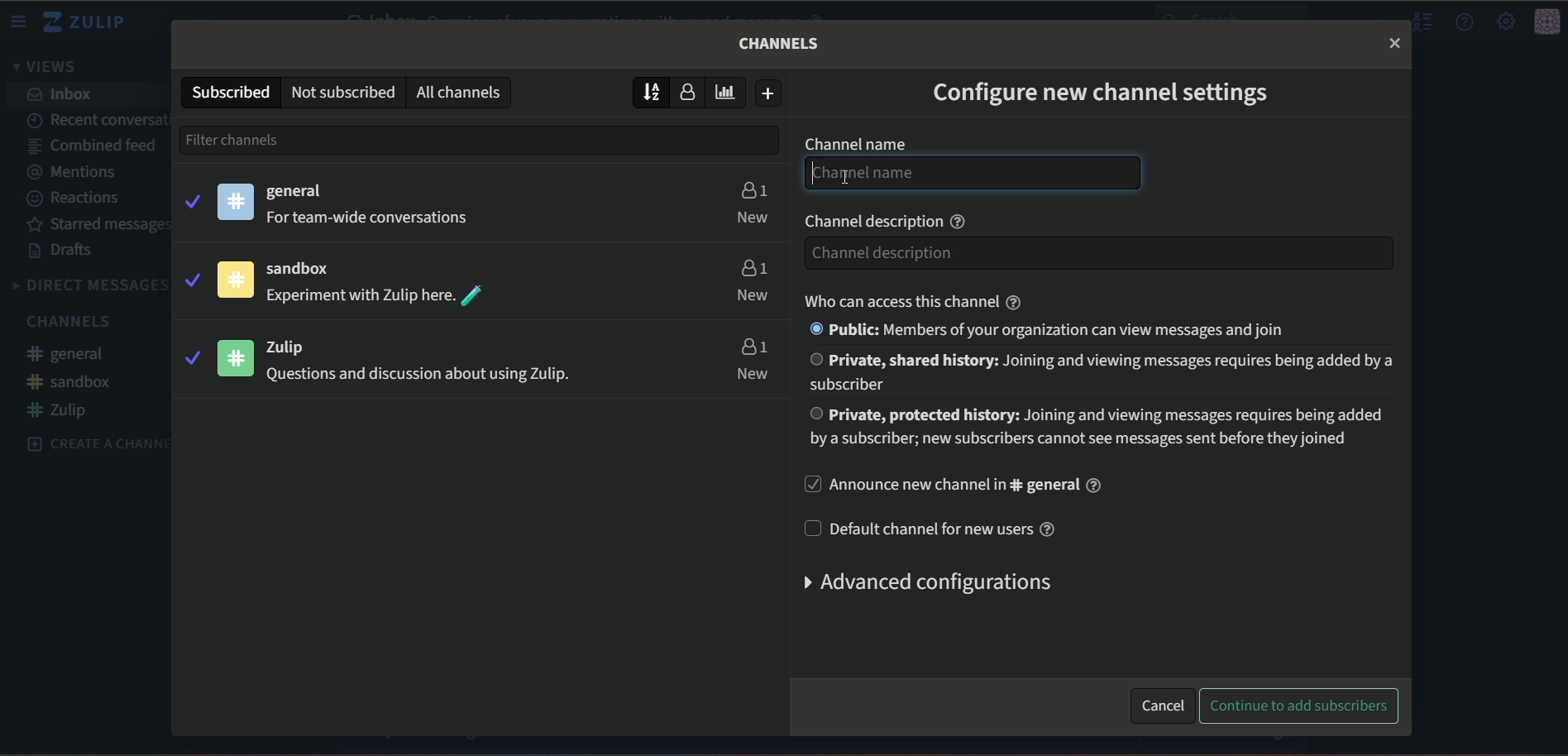 The image size is (1568, 756). What do you see at coordinates (753, 188) in the screenshot?
I see `users` at bounding box center [753, 188].